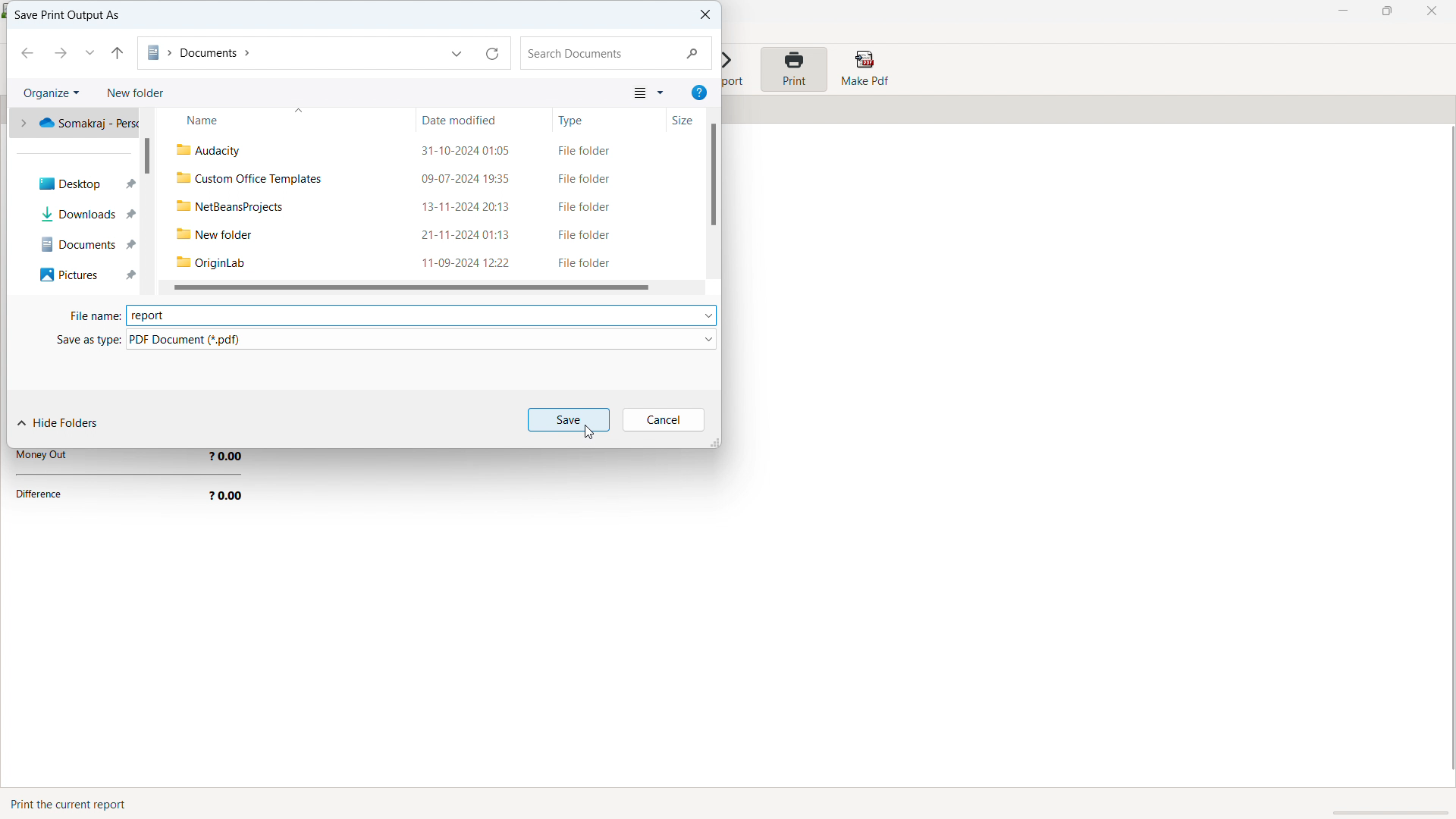  I want to click on TI NetBeansProjects 13-11-2024 20:13 File folder, so click(422, 206).